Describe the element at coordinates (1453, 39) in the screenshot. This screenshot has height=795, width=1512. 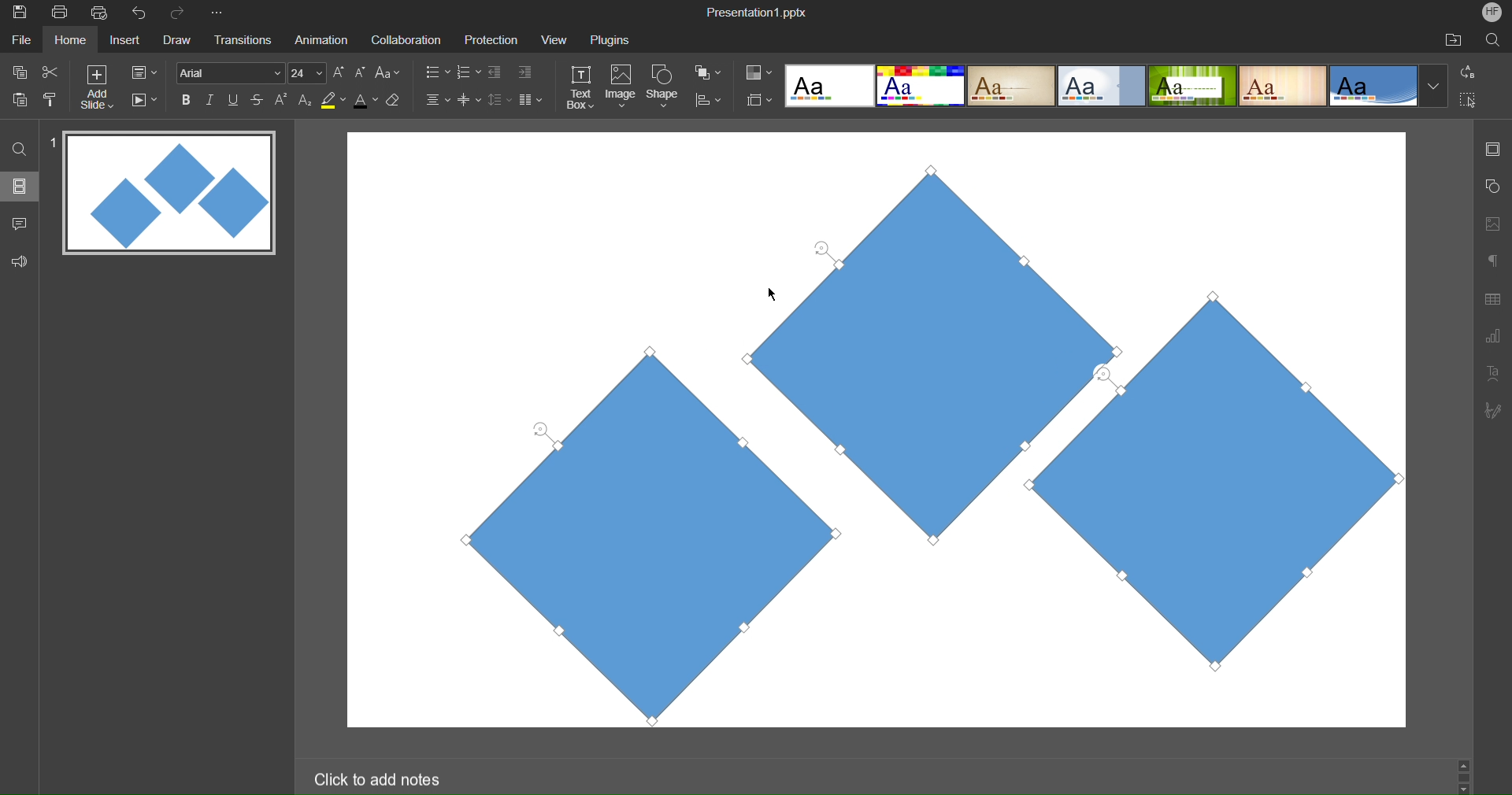
I see `open file location` at that location.